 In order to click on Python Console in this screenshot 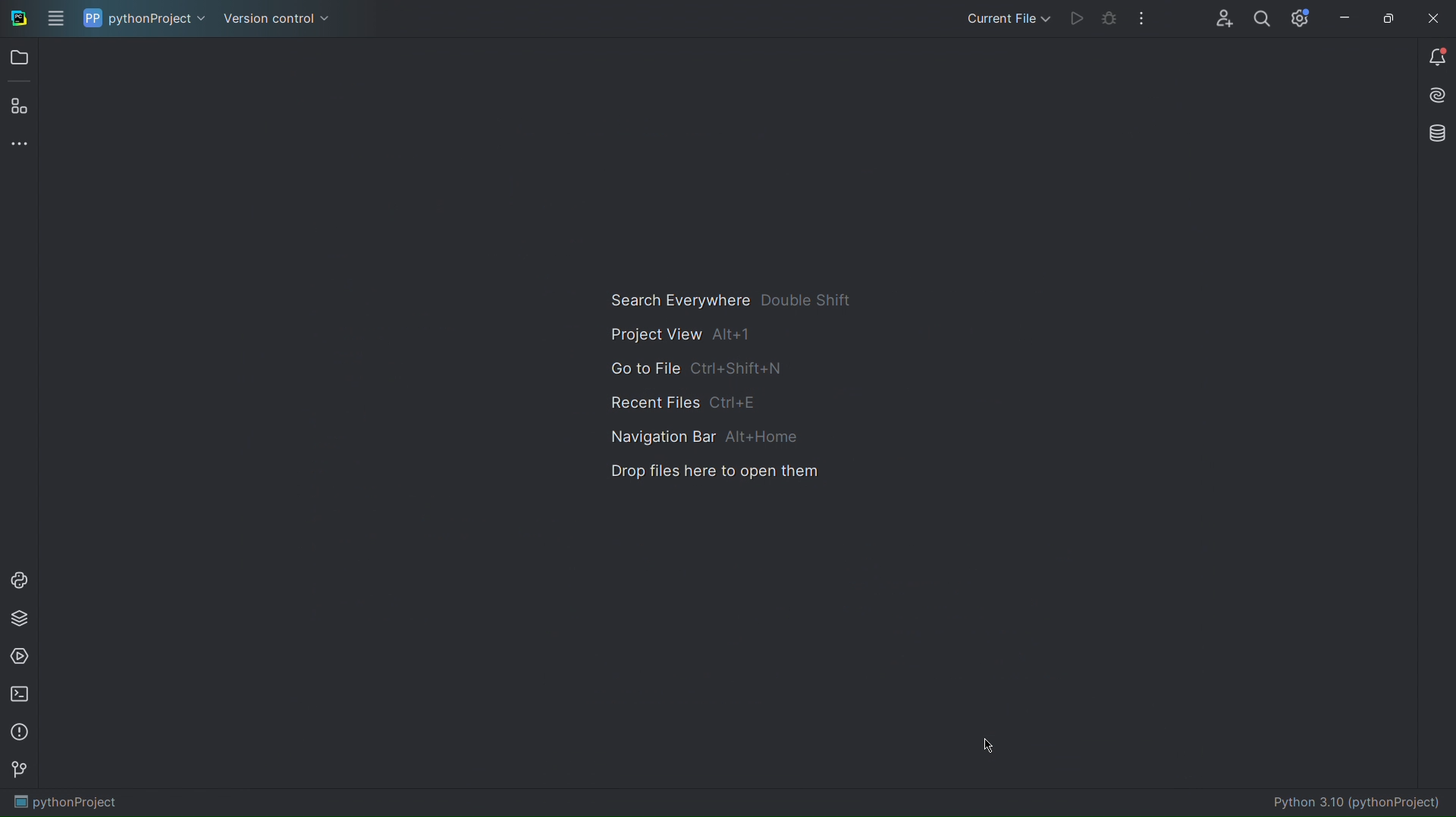, I will do `click(20, 578)`.